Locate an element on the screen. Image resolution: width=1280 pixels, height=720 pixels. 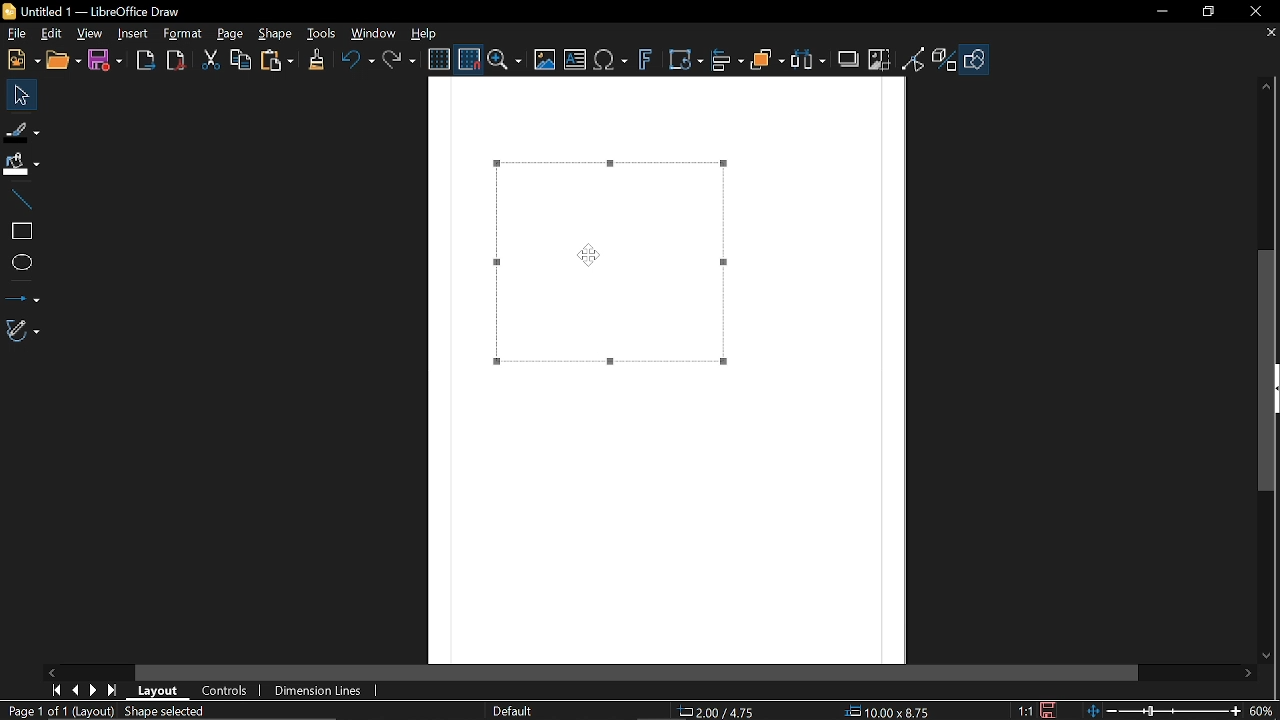
Fill color is located at coordinates (21, 165).